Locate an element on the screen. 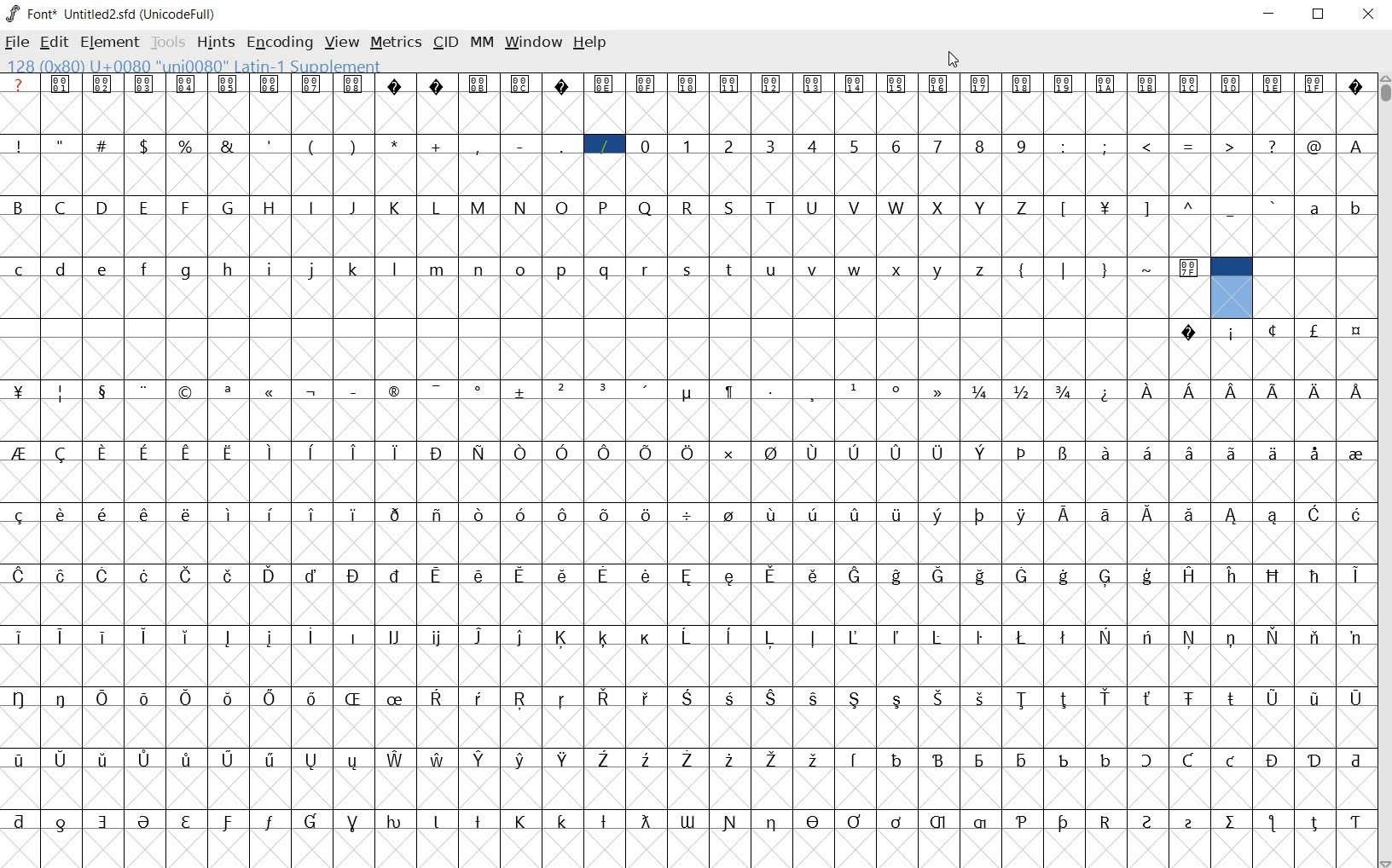 Image resolution: width=1392 pixels, height=868 pixels. Symbol is located at coordinates (1273, 515).